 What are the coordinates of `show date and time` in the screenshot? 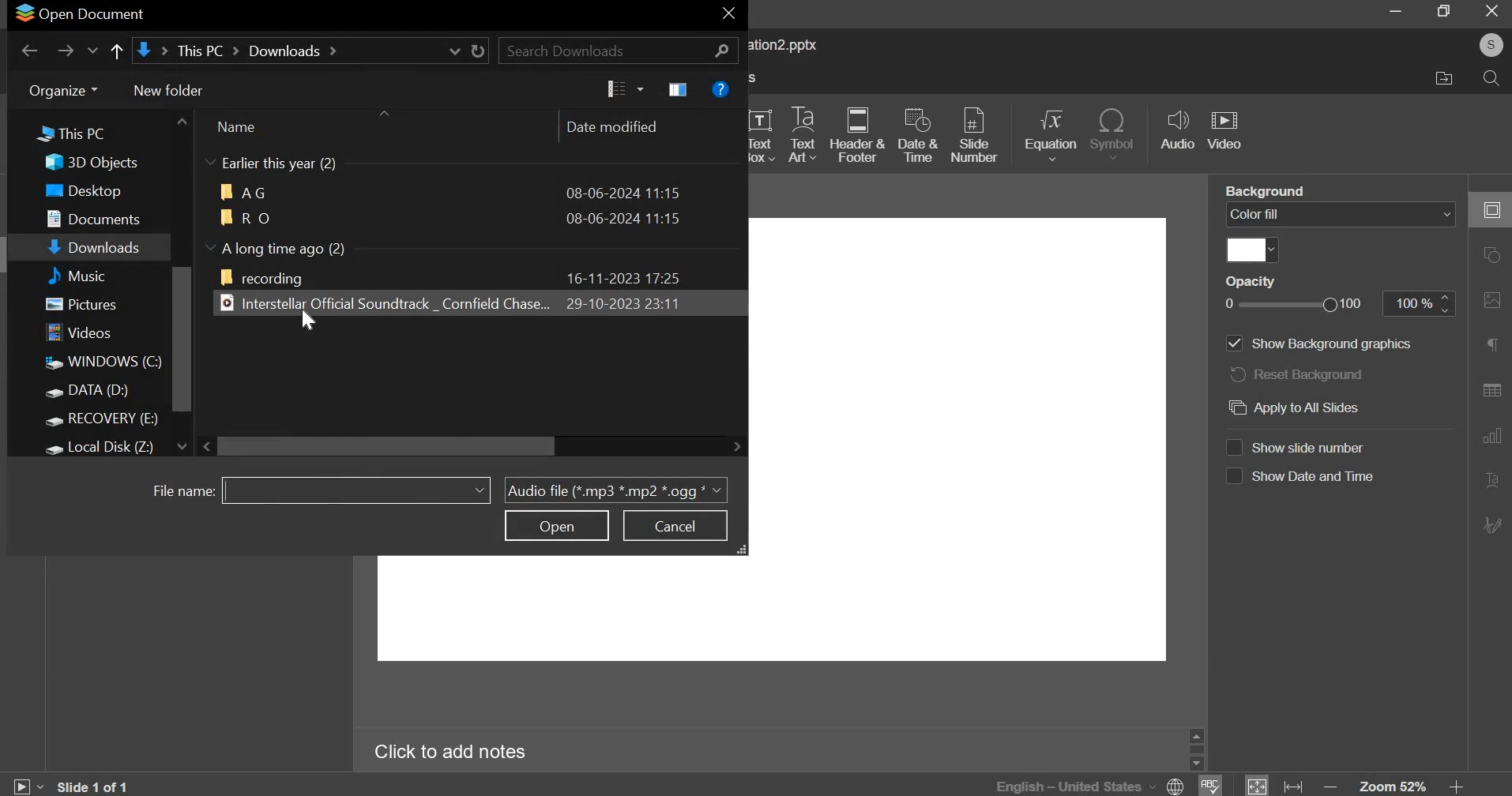 It's located at (1303, 478).